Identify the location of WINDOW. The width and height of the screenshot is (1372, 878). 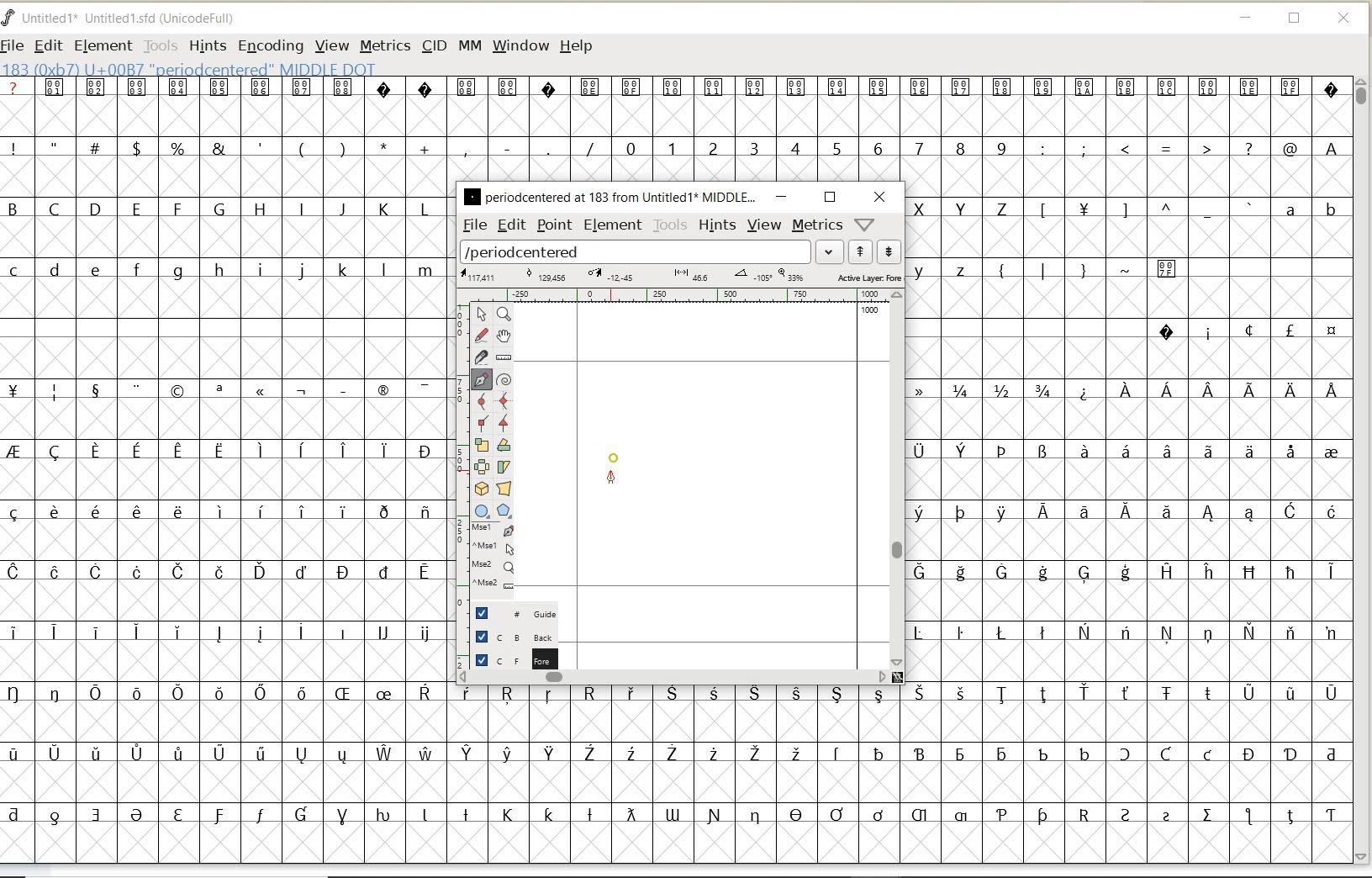
(520, 45).